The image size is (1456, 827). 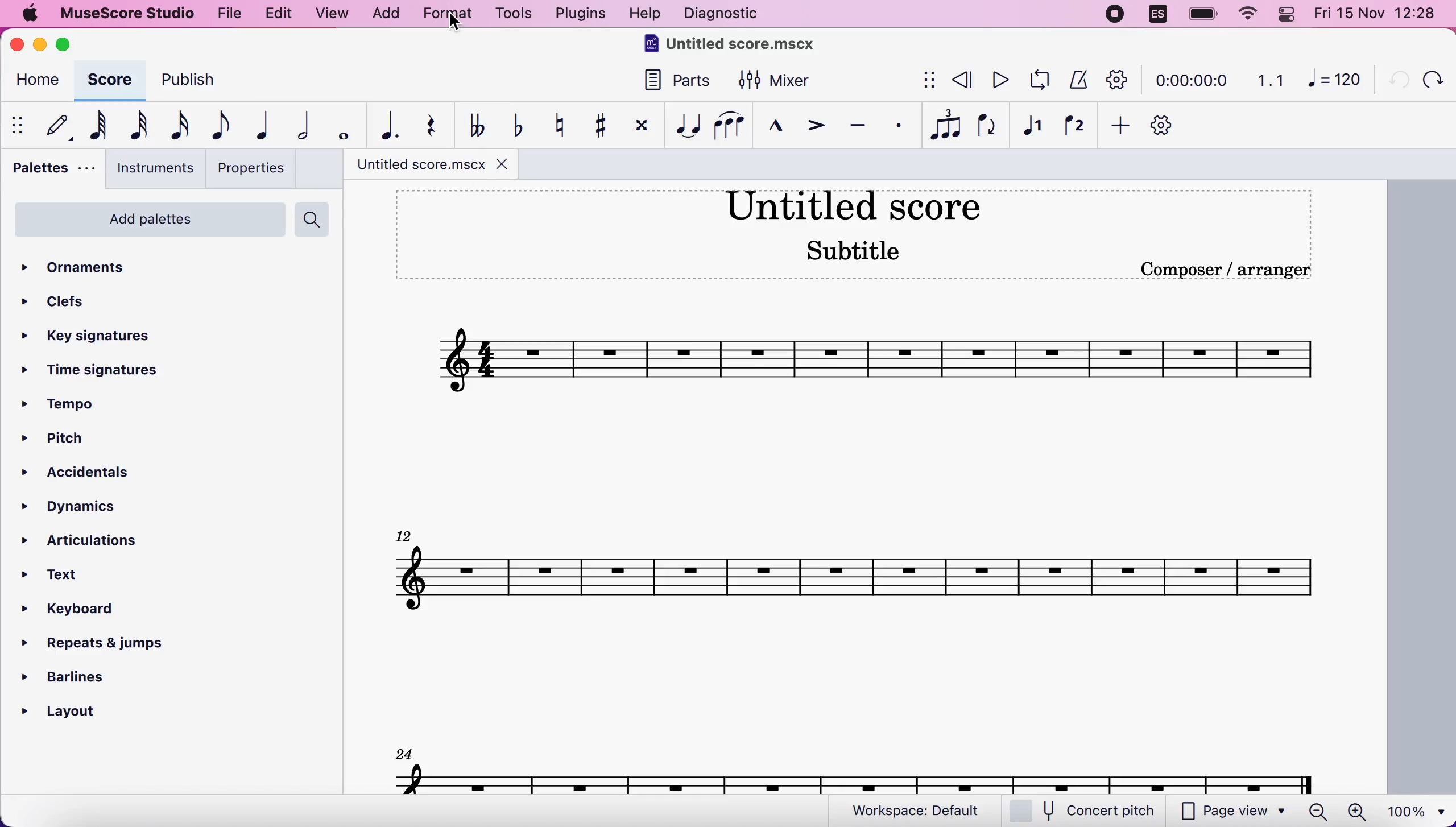 What do you see at coordinates (599, 126) in the screenshot?
I see `toggle sharp` at bounding box center [599, 126].